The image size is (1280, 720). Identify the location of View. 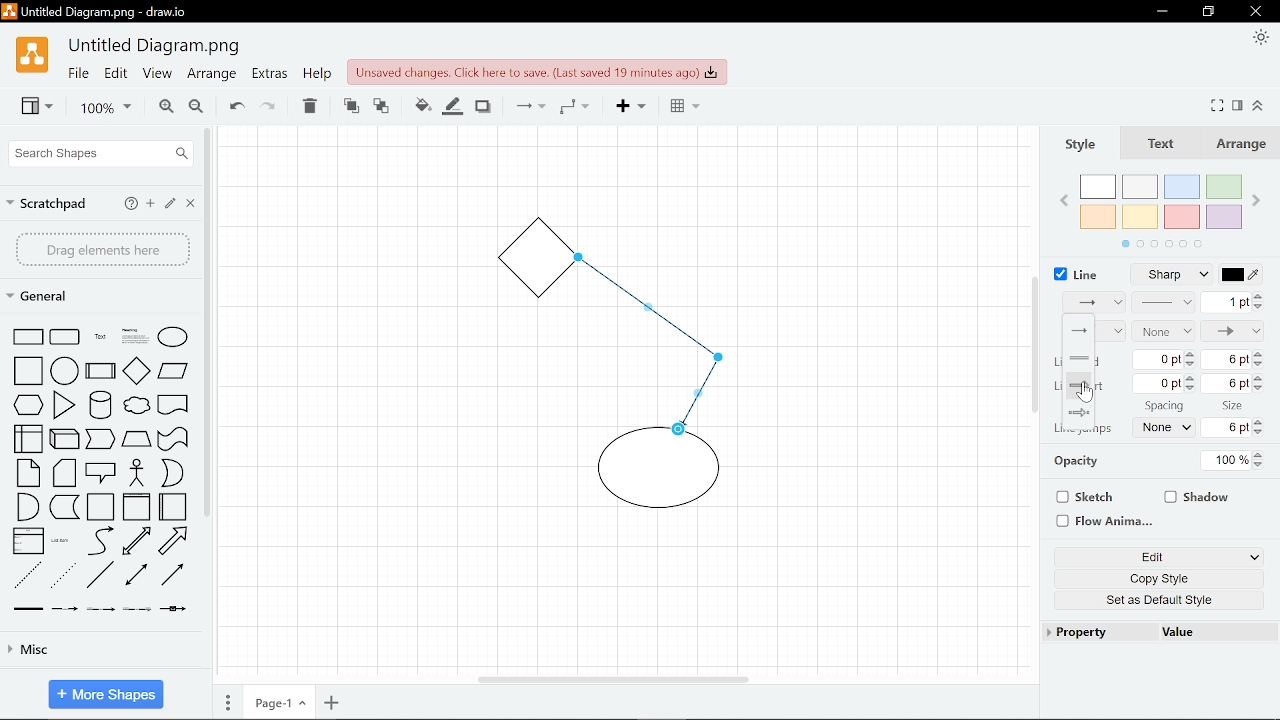
(30, 108).